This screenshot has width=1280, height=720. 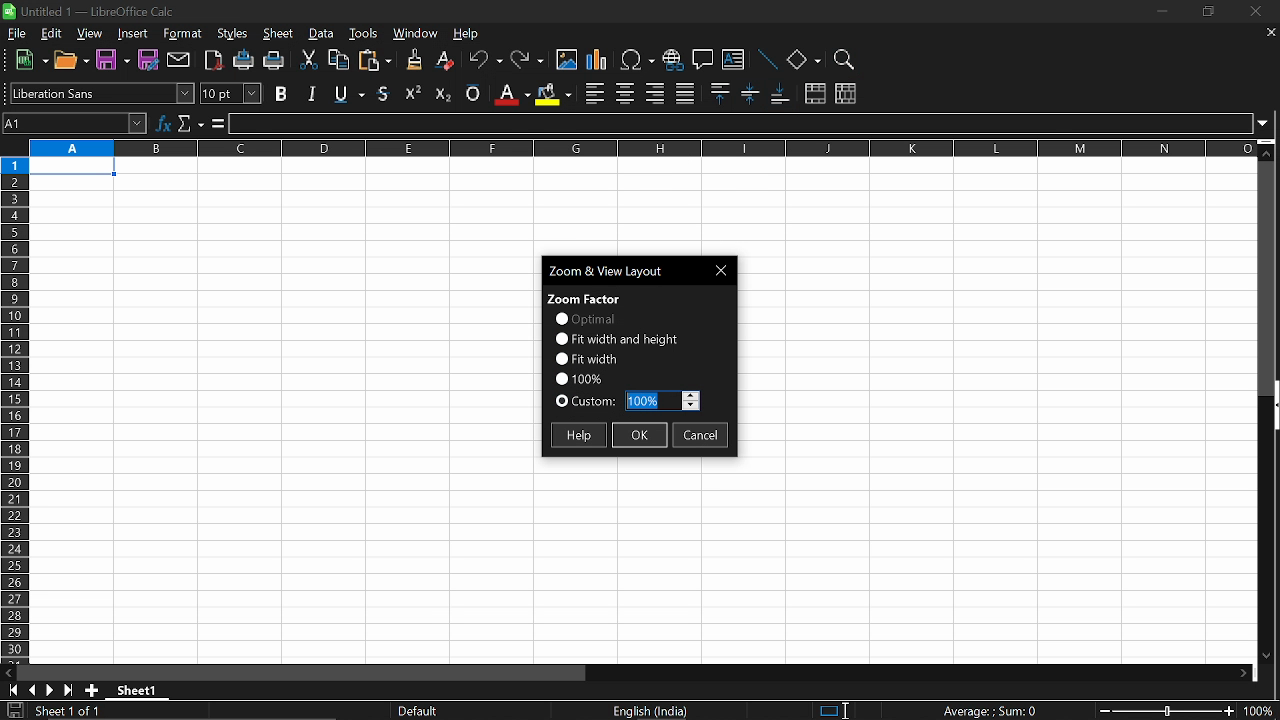 I want to click on close current sheet, so click(x=1269, y=34).